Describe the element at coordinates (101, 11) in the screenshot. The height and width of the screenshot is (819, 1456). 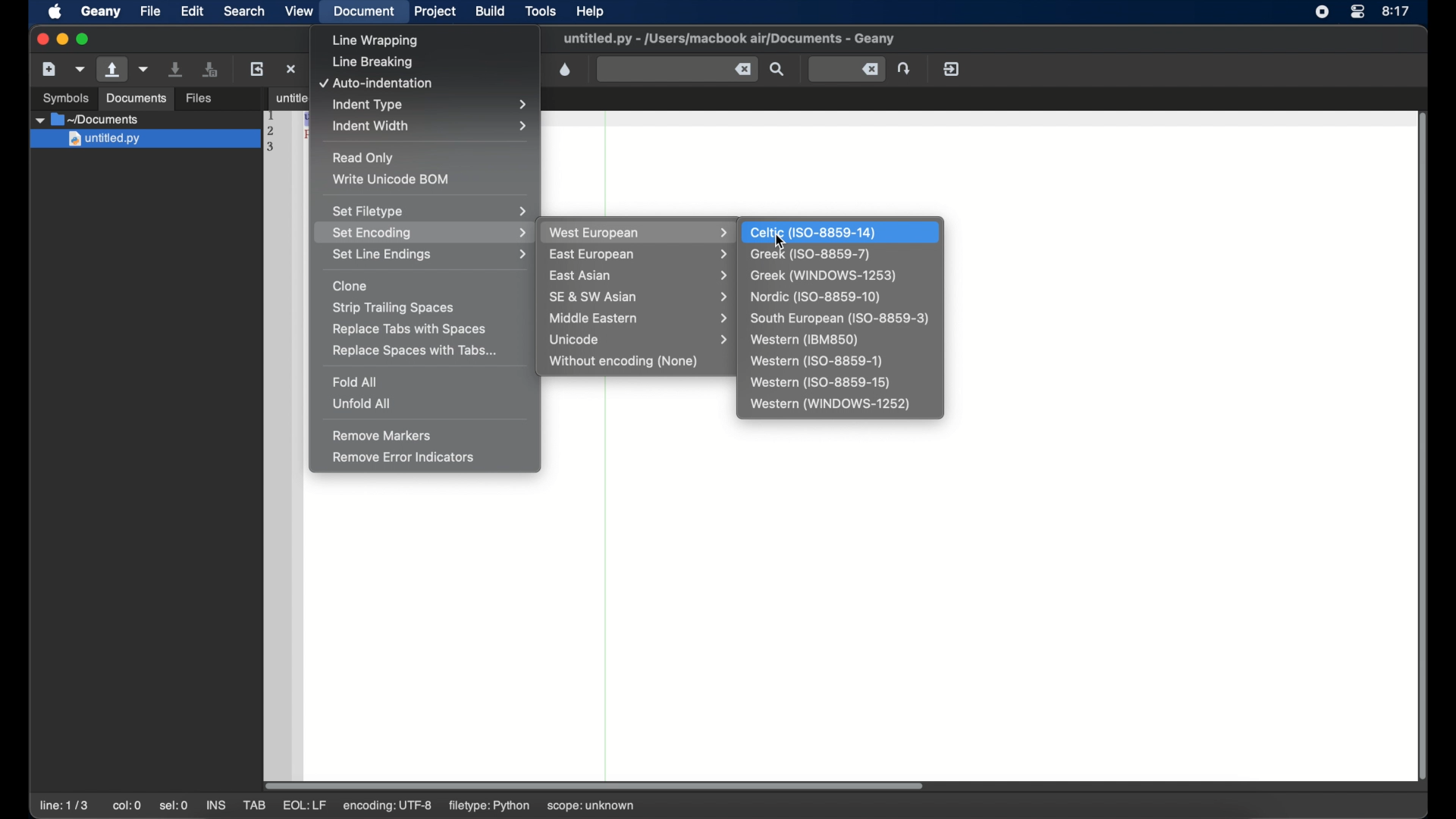
I see `geany` at that location.